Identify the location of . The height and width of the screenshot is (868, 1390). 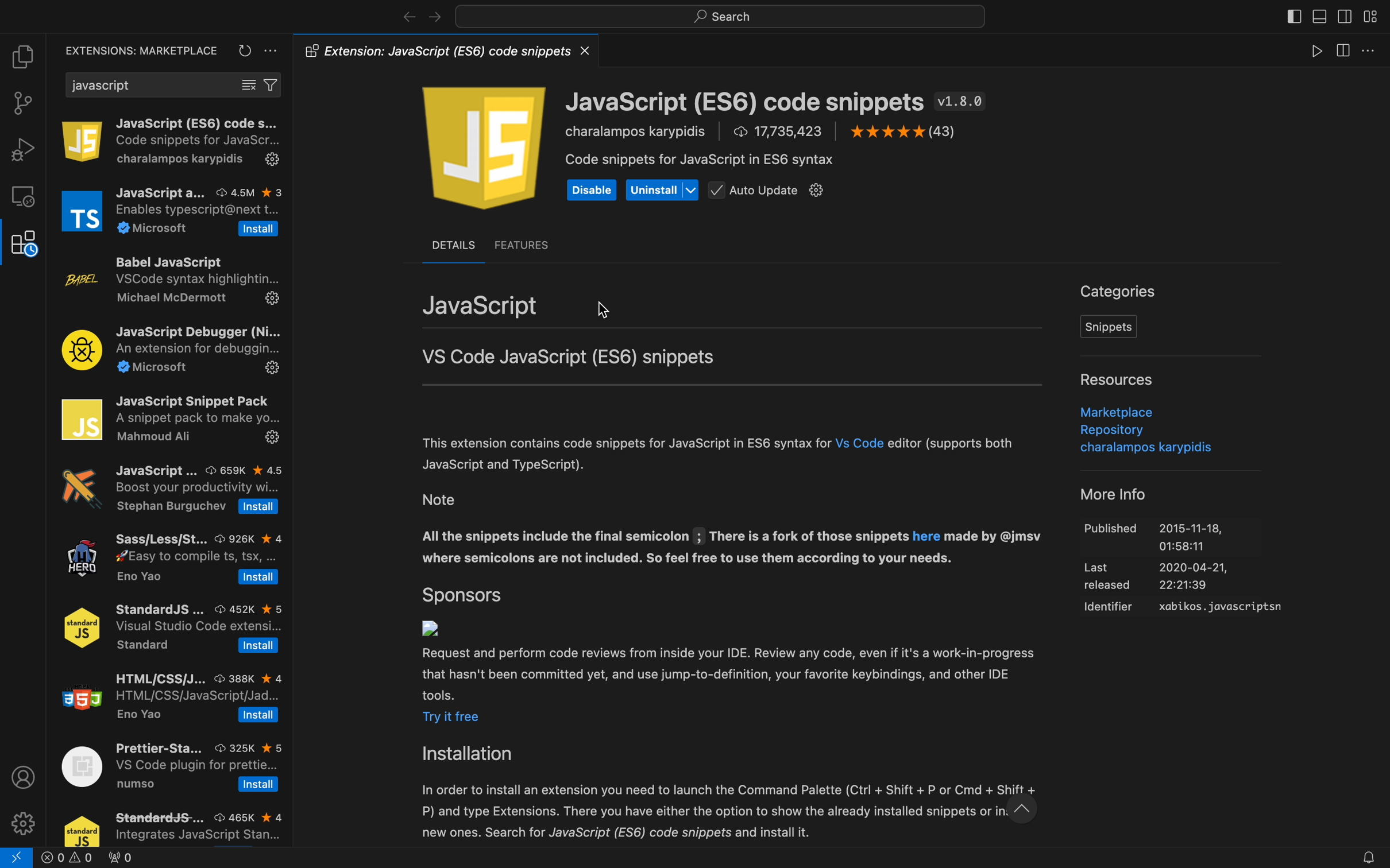
(1163, 533).